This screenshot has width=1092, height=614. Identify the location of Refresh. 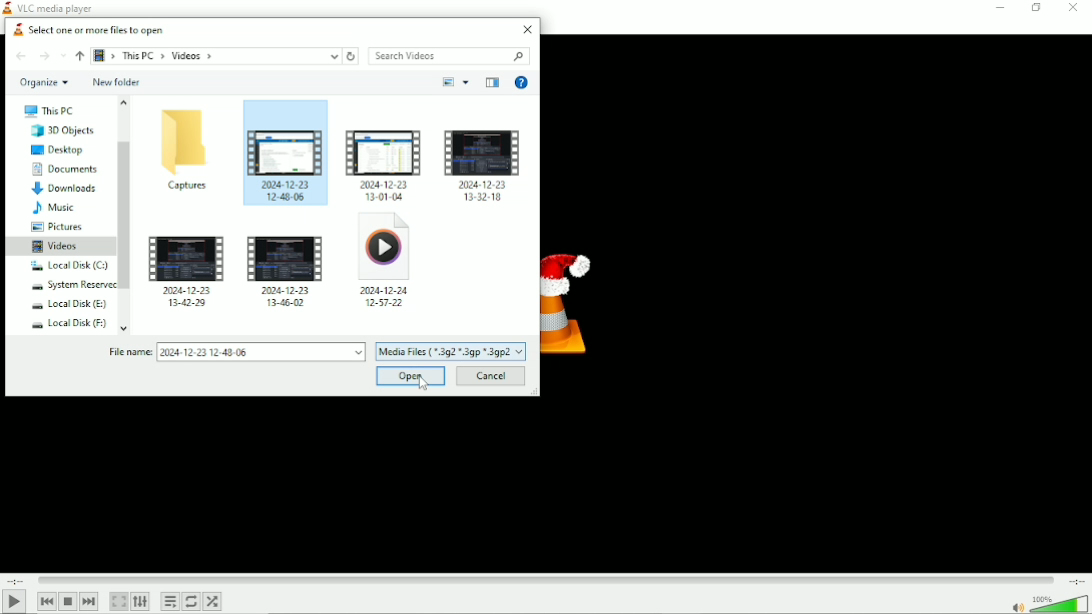
(352, 56).